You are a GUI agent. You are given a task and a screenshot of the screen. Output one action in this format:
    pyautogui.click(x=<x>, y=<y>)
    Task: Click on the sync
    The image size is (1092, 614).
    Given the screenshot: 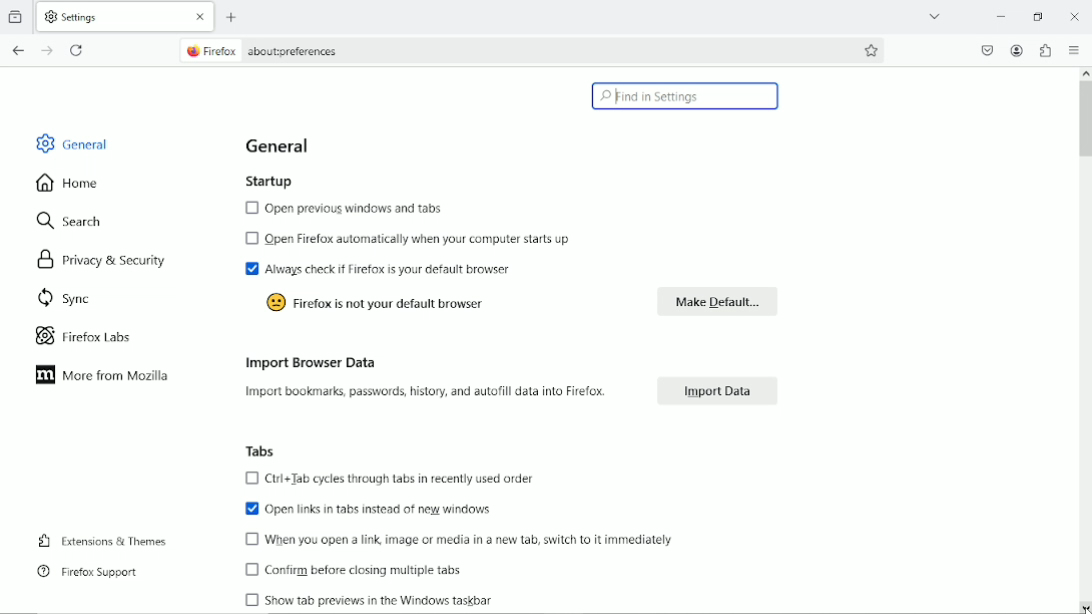 What is the action you would take?
    pyautogui.click(x=67, y=299)
    